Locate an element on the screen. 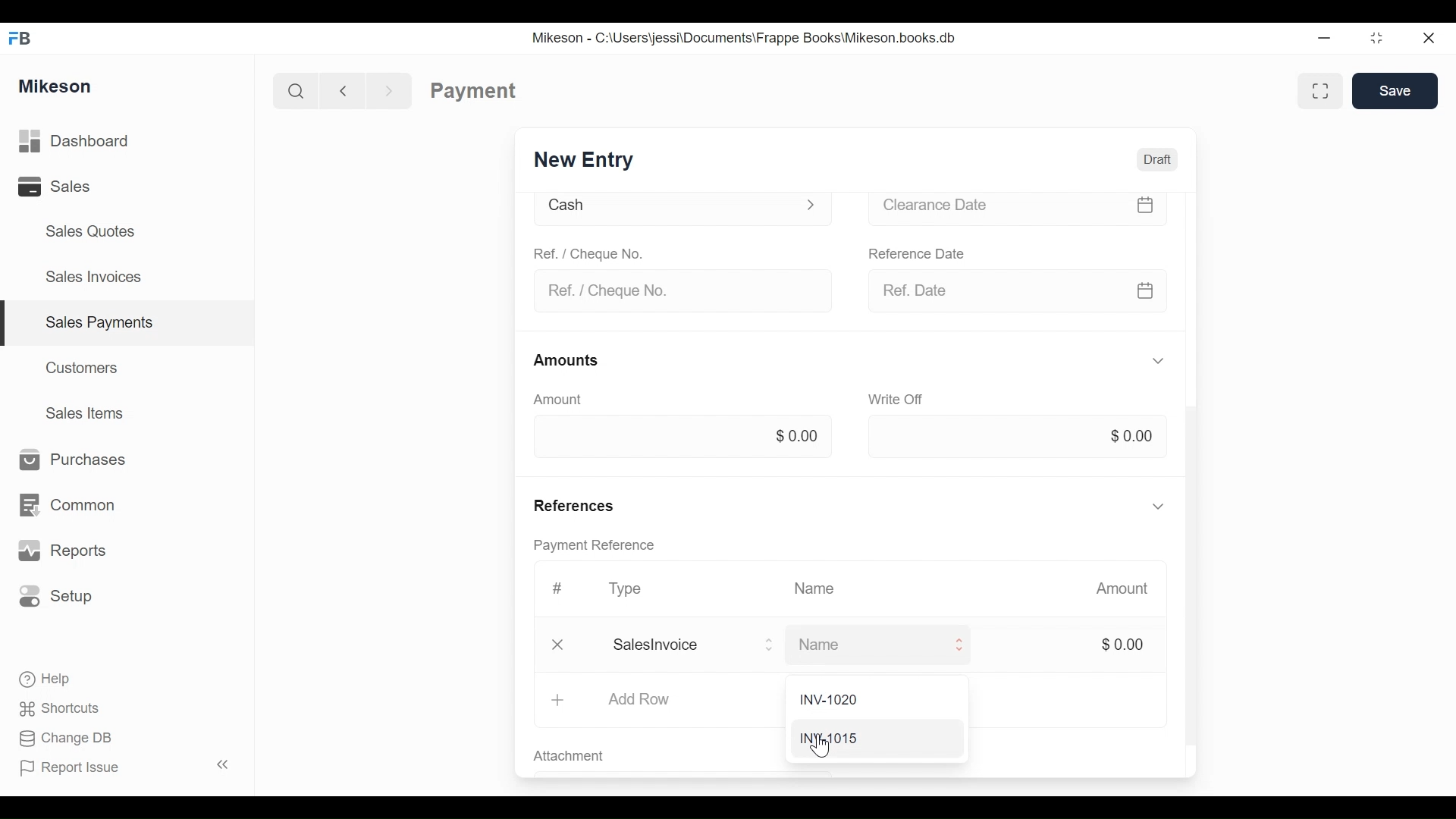  Attachment is located at coordinates (569, 755).